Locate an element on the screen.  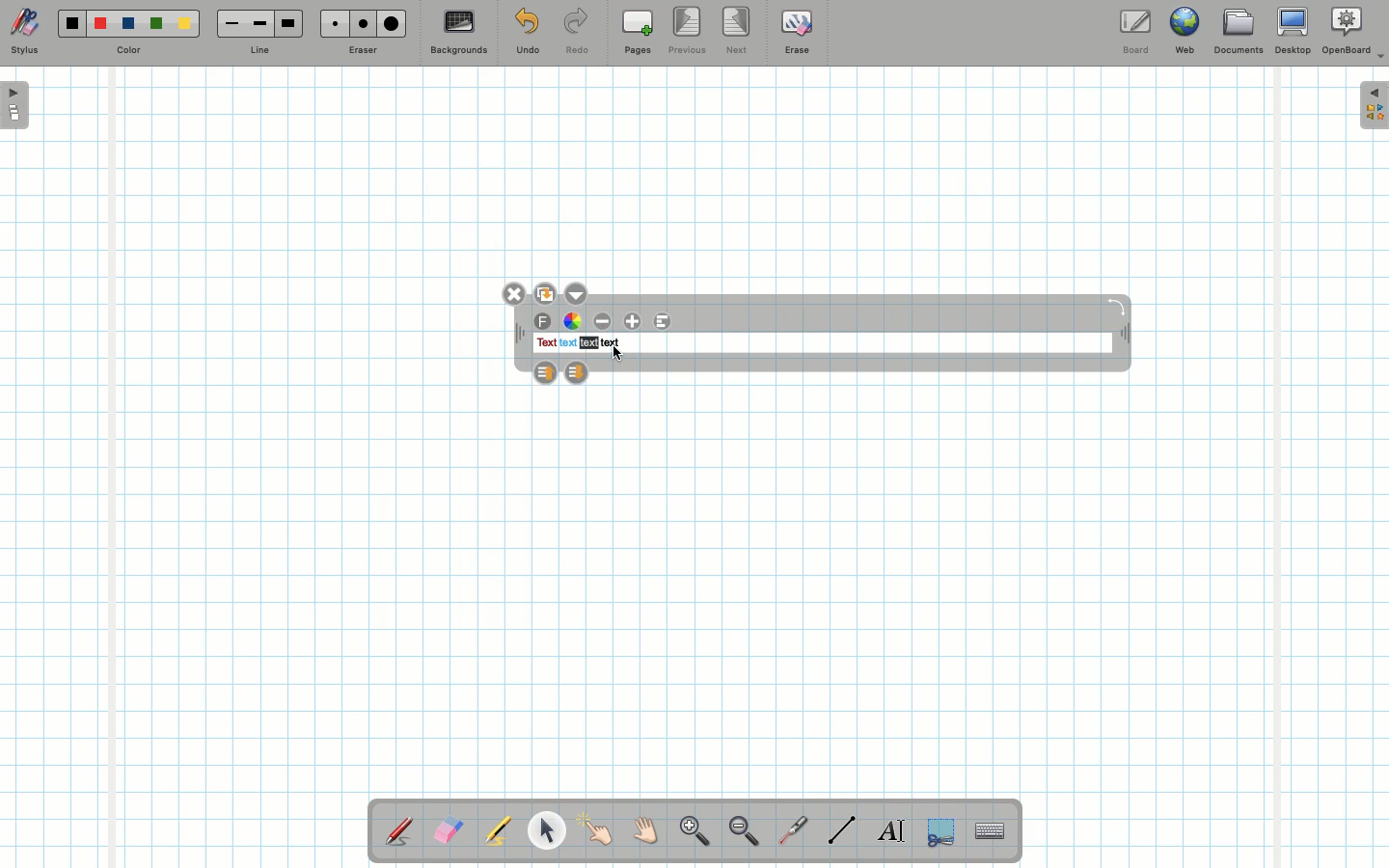
Zoom in is located at coordinates (690, 833).